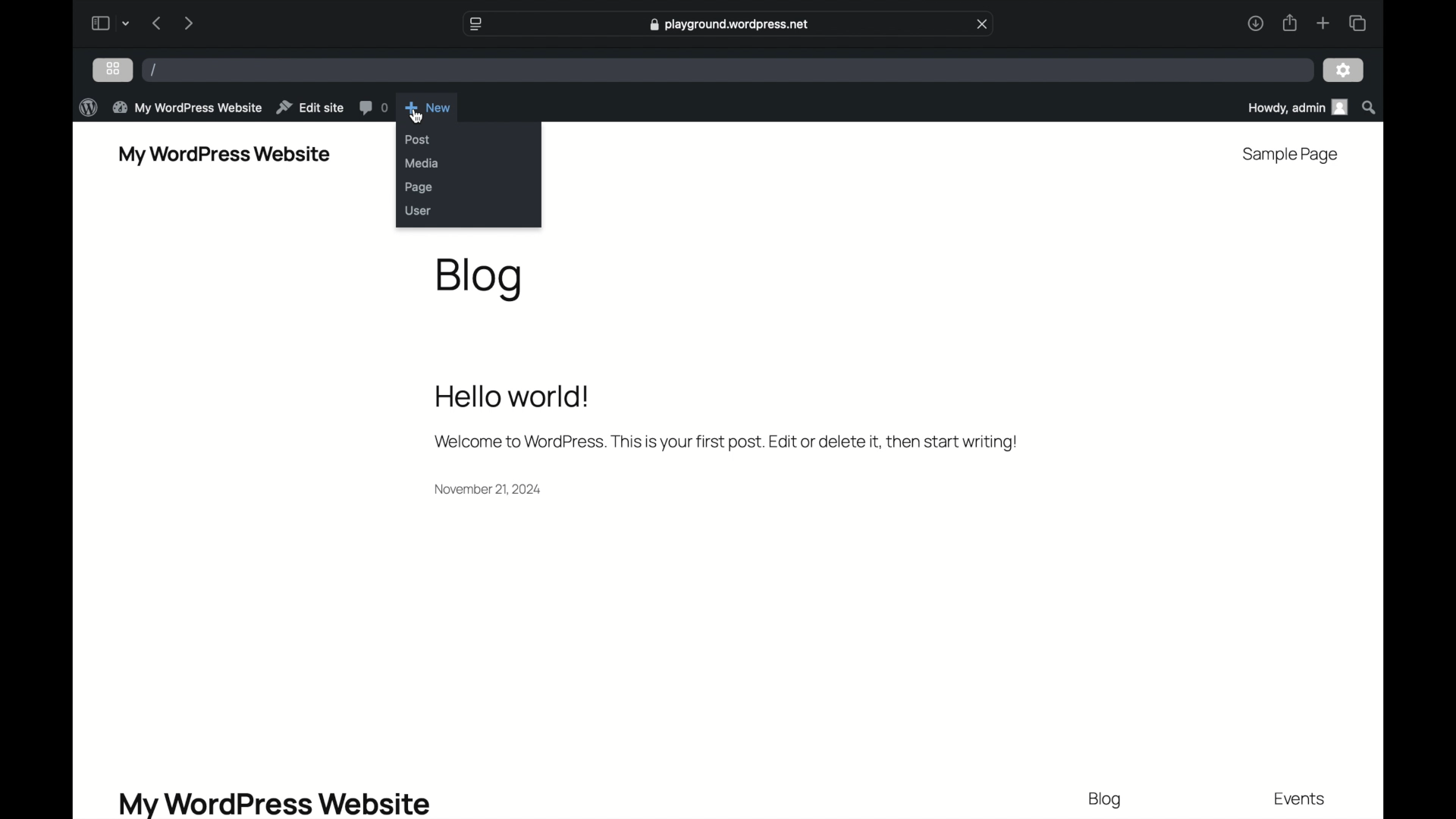  Describe the element at coordinates (488, 488) in the screenshot. I see `date` at that location.